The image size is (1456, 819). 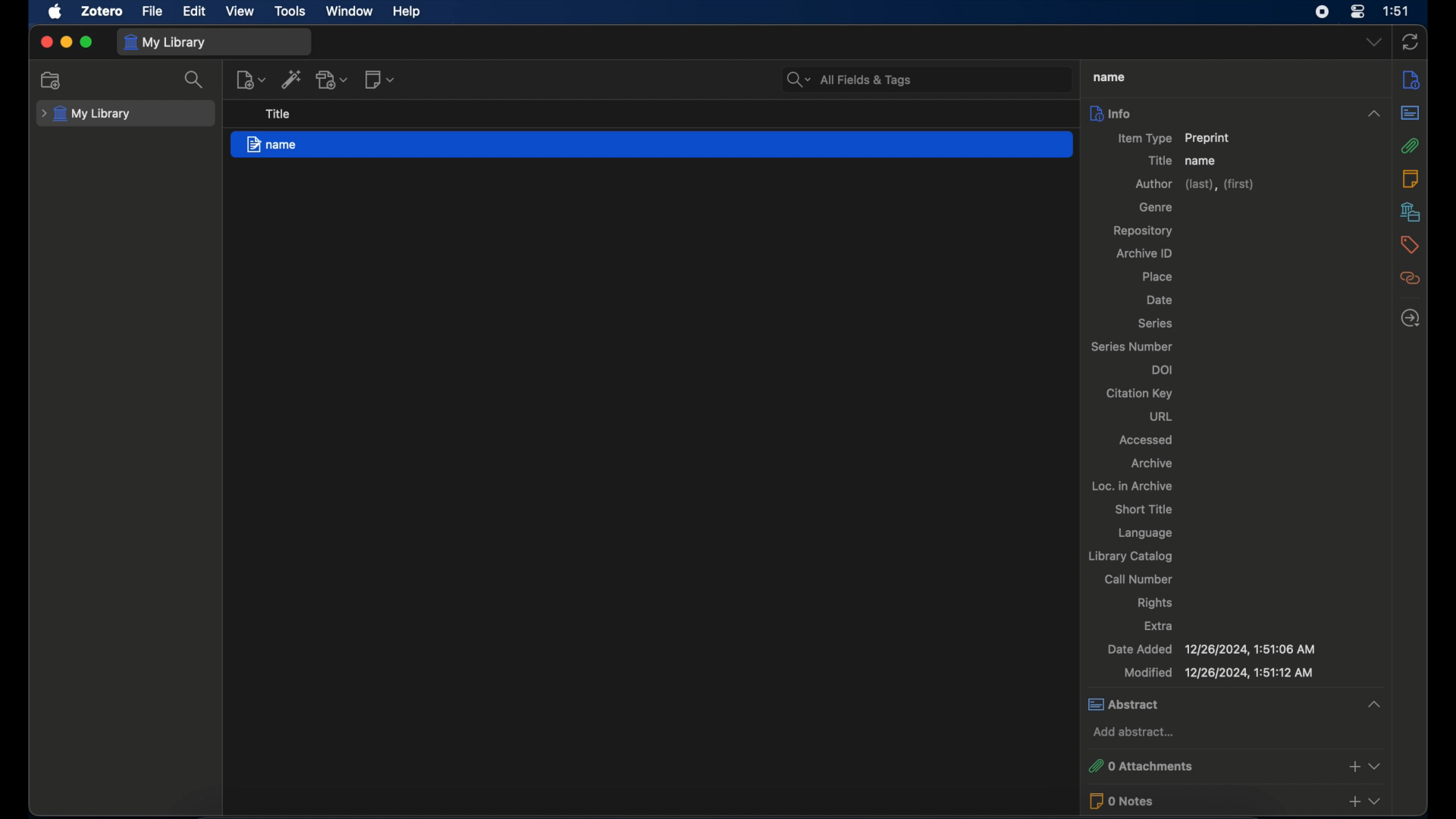 What do you see at coordinates (291, 79) in the screenshot?
I see `add item by identifier` at bounding box center [291, 79].